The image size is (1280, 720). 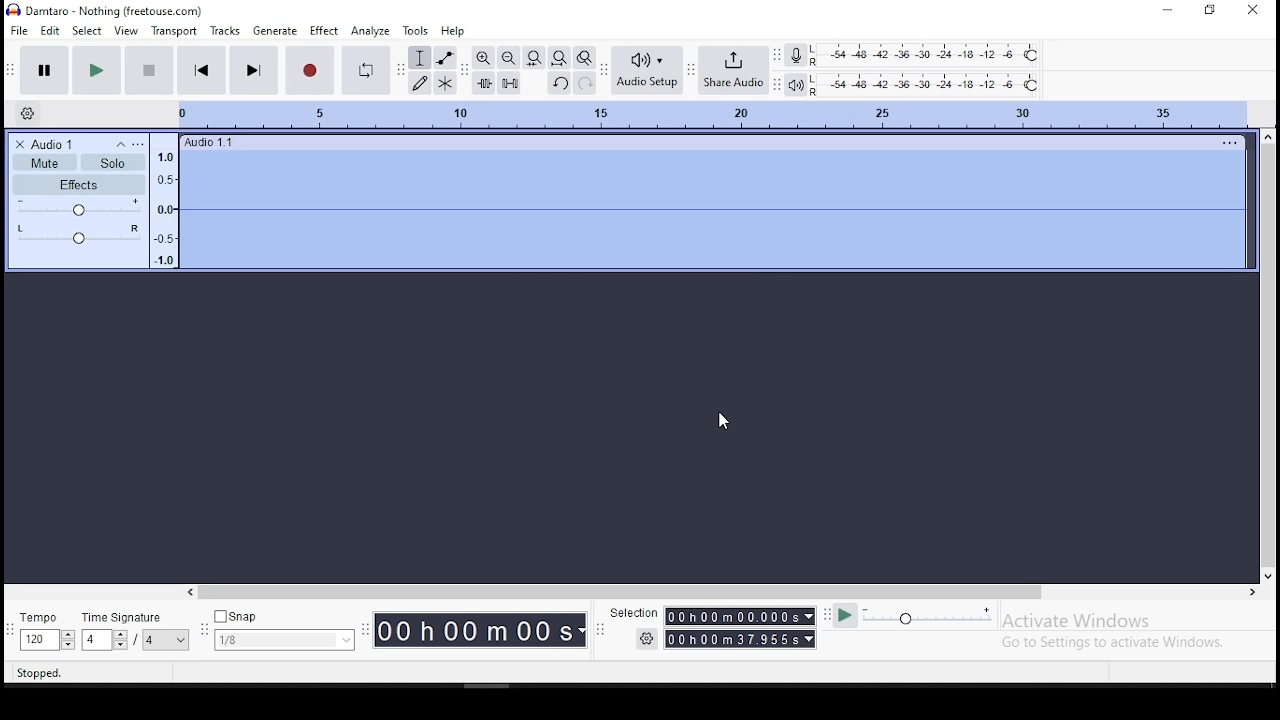 What do you see at coordinates (31, 675) in the screenshot?
I see `stopped` at bounding box center [31, 675].